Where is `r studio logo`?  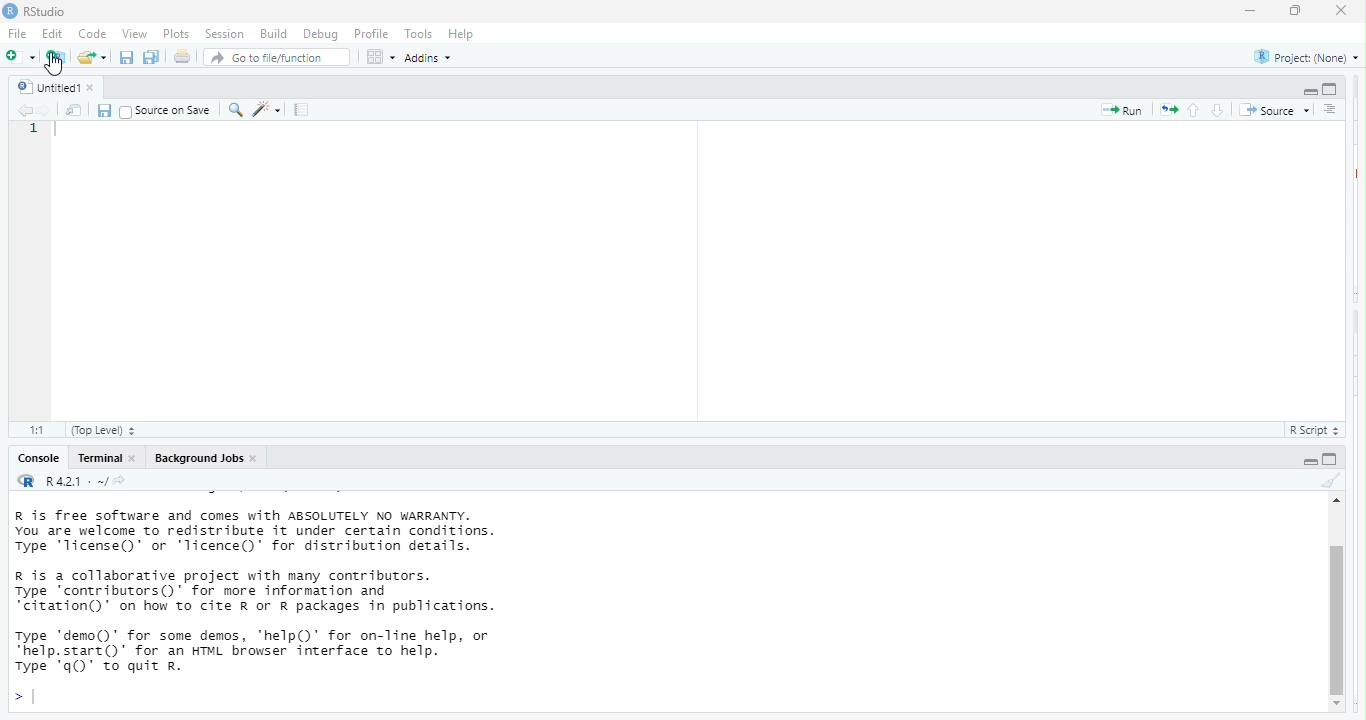
r studio logo is located at coordinates (9, 11).